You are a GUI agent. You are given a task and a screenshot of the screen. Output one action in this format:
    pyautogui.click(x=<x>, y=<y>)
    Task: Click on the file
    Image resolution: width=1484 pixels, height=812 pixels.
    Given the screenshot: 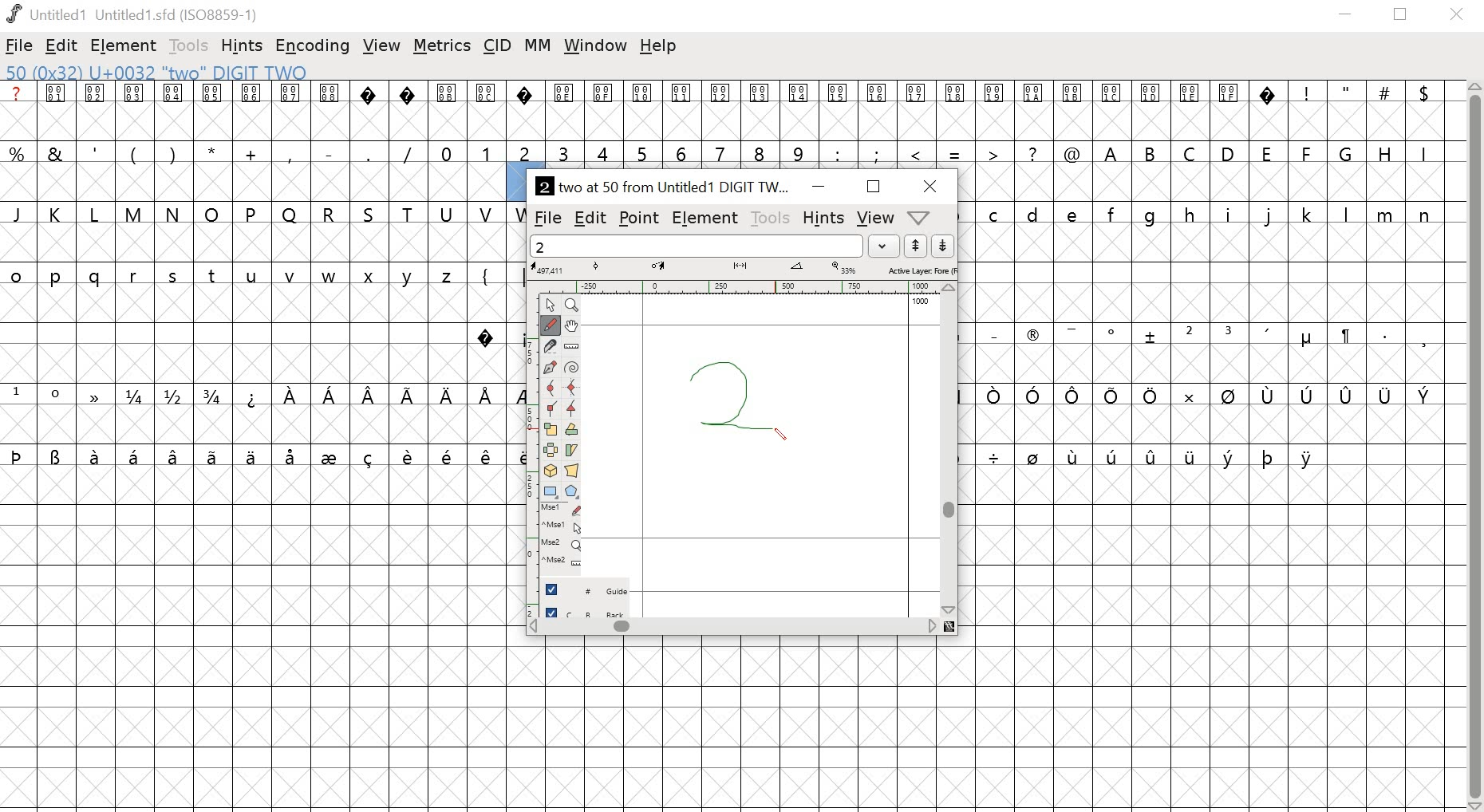 What is the action you would take?
    pyautogui.click(x=21, y=45)
    